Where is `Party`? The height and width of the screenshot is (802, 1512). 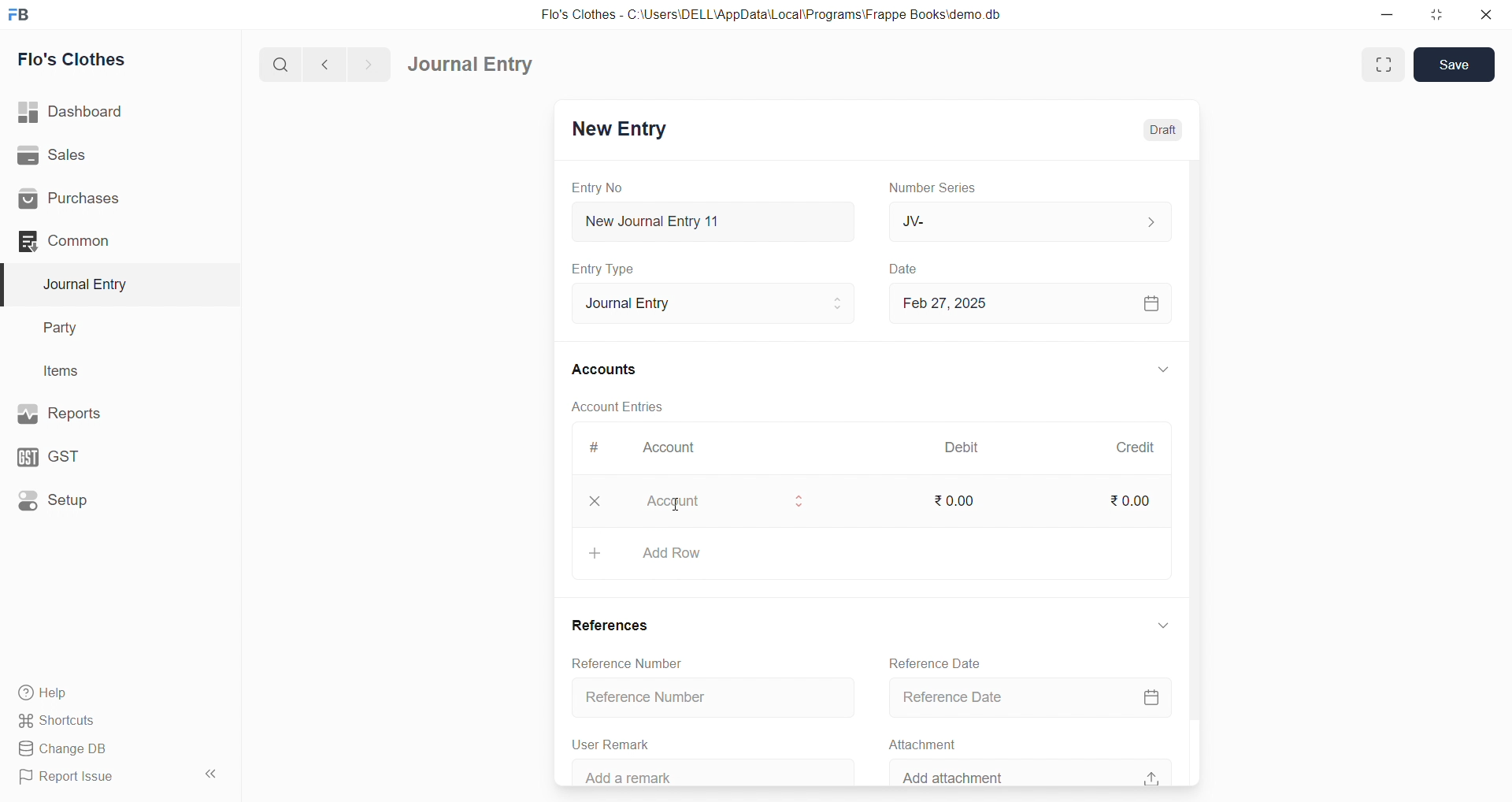
Party is located at coordinates (70, 326).